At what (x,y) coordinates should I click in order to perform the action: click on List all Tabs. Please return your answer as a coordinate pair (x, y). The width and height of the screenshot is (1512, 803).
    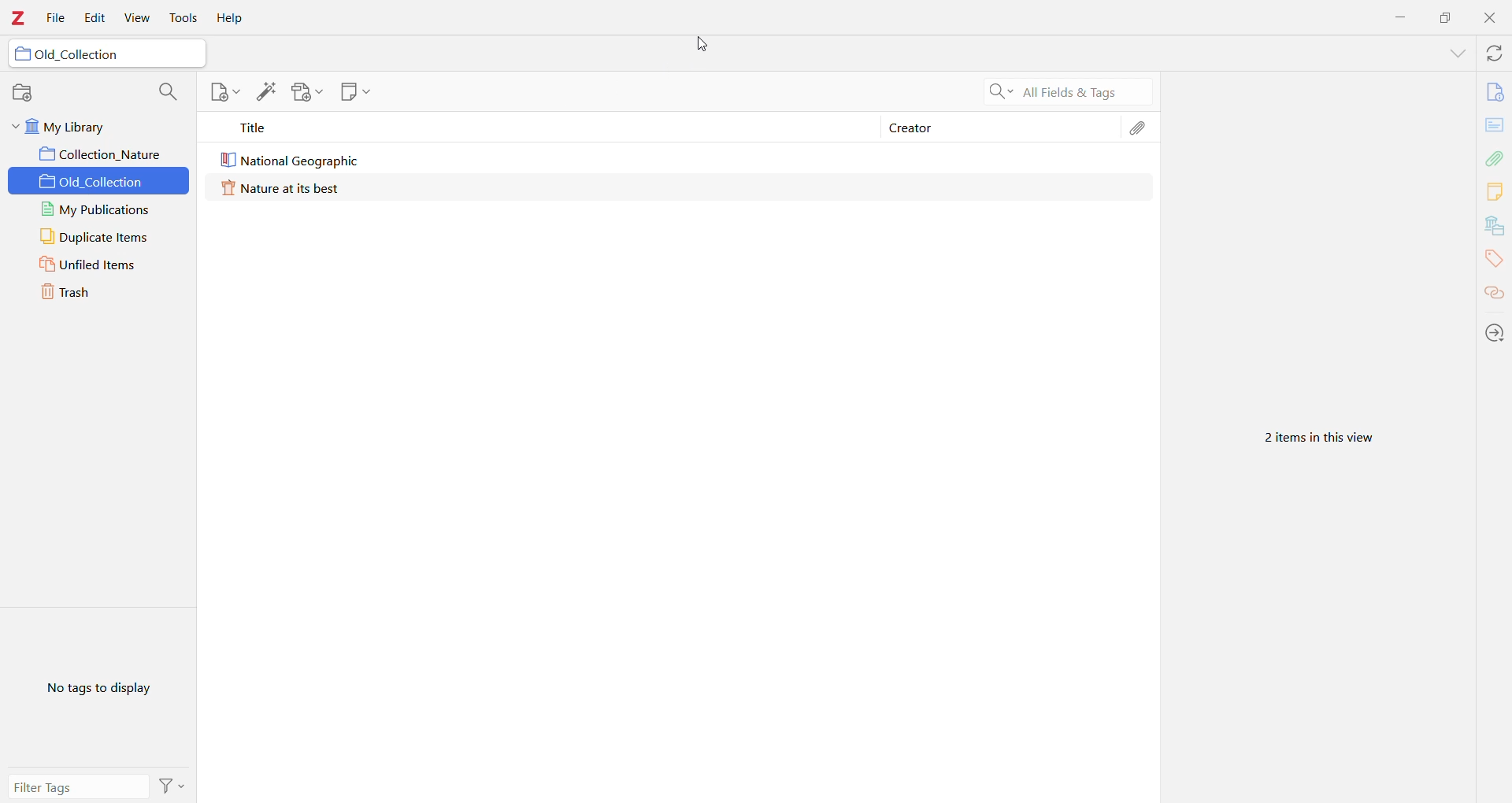
    Looking at the image, I should click on (1456, 53).